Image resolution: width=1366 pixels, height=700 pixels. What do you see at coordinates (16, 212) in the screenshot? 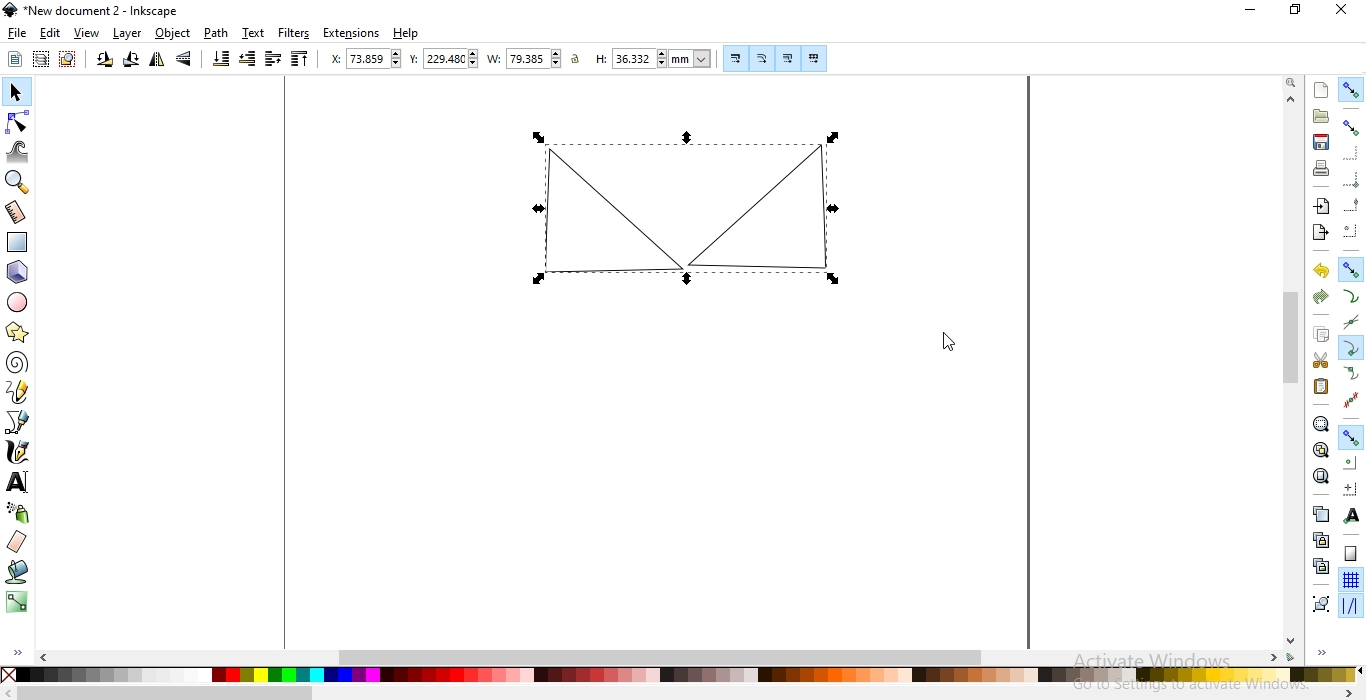
I see `measurement tool ` at bounding box center [16, 212].